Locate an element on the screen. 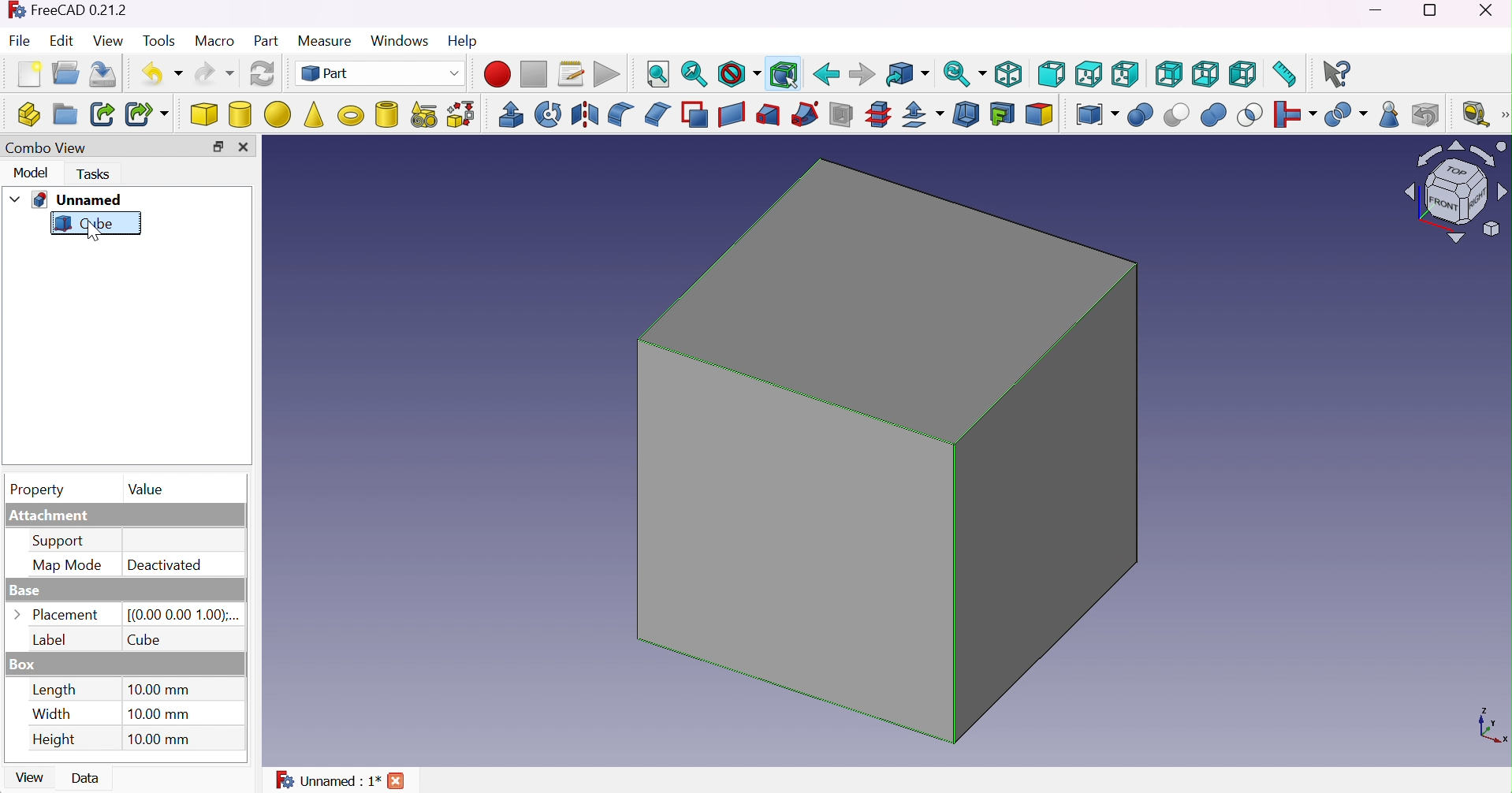 This screenshot has height=793, width=1512. Close is located at coordinates (400, 782).